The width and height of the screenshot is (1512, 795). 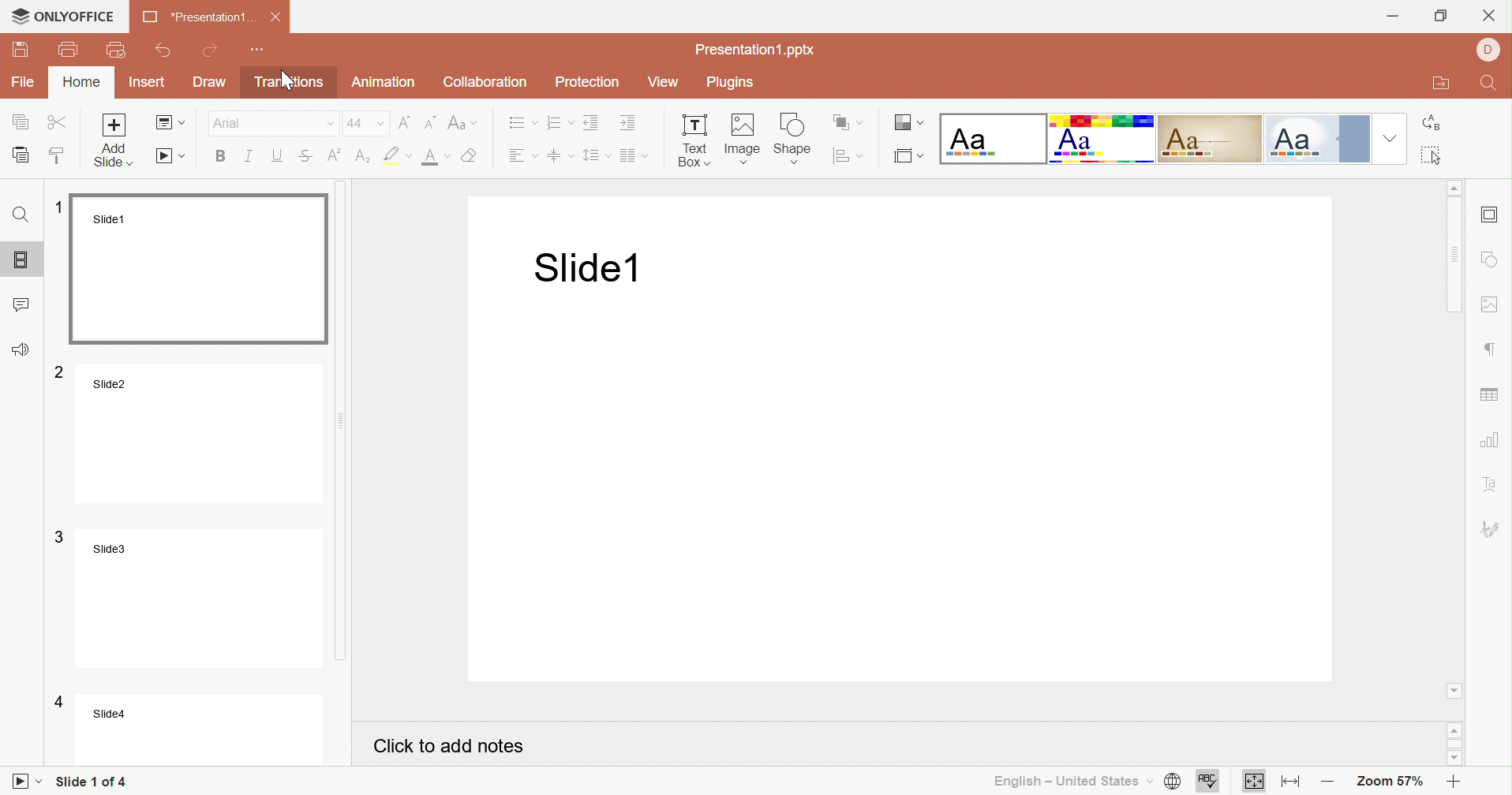 What do you see at coordinates (1316, 137) in the screenshot?
I see `Official` at bounding box center [1316, 137].